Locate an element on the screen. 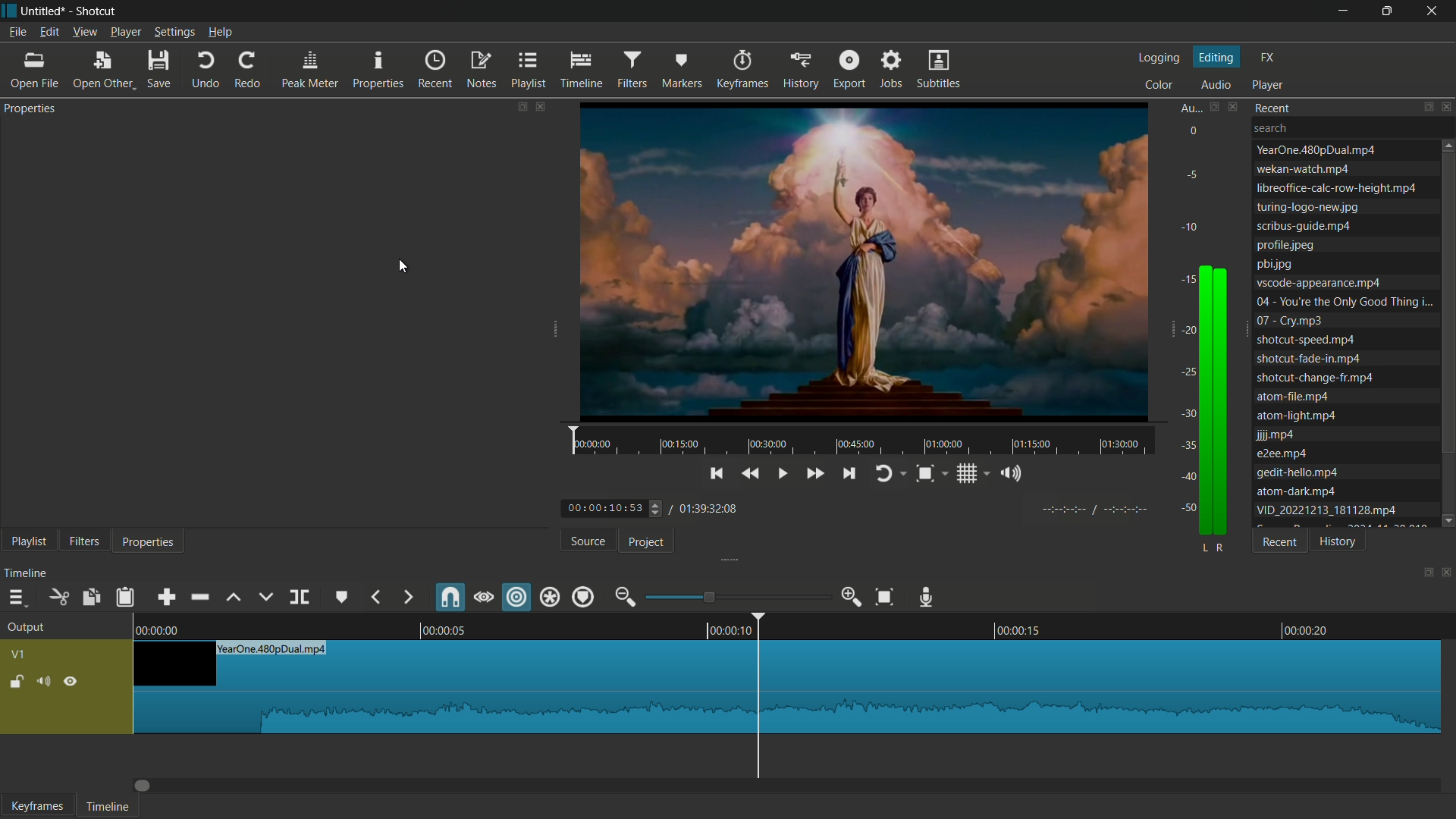  playlist is located at coordinates (527, 69).